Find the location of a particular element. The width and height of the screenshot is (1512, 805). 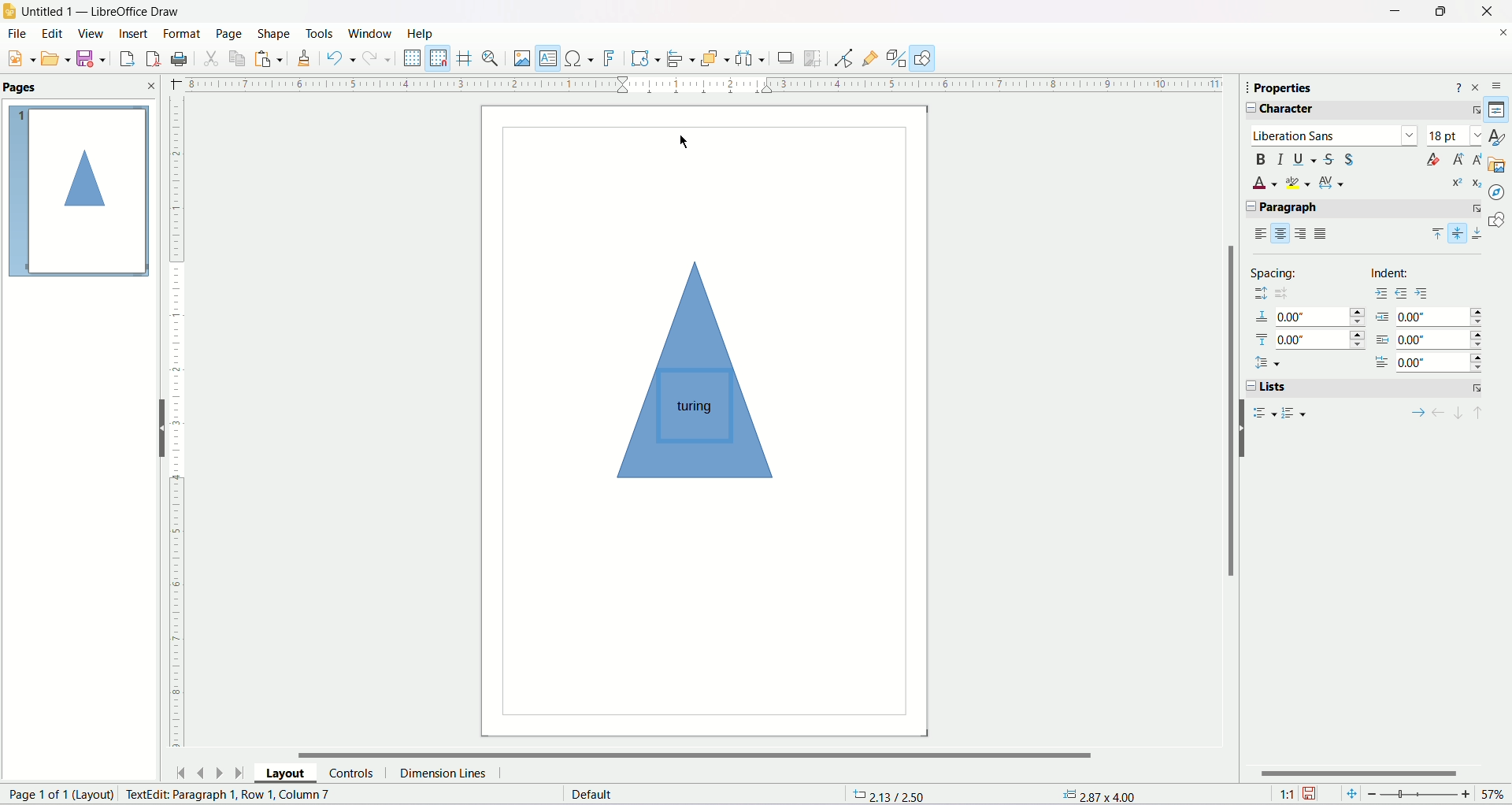

unordered list is located at coordinates (1266, 416).